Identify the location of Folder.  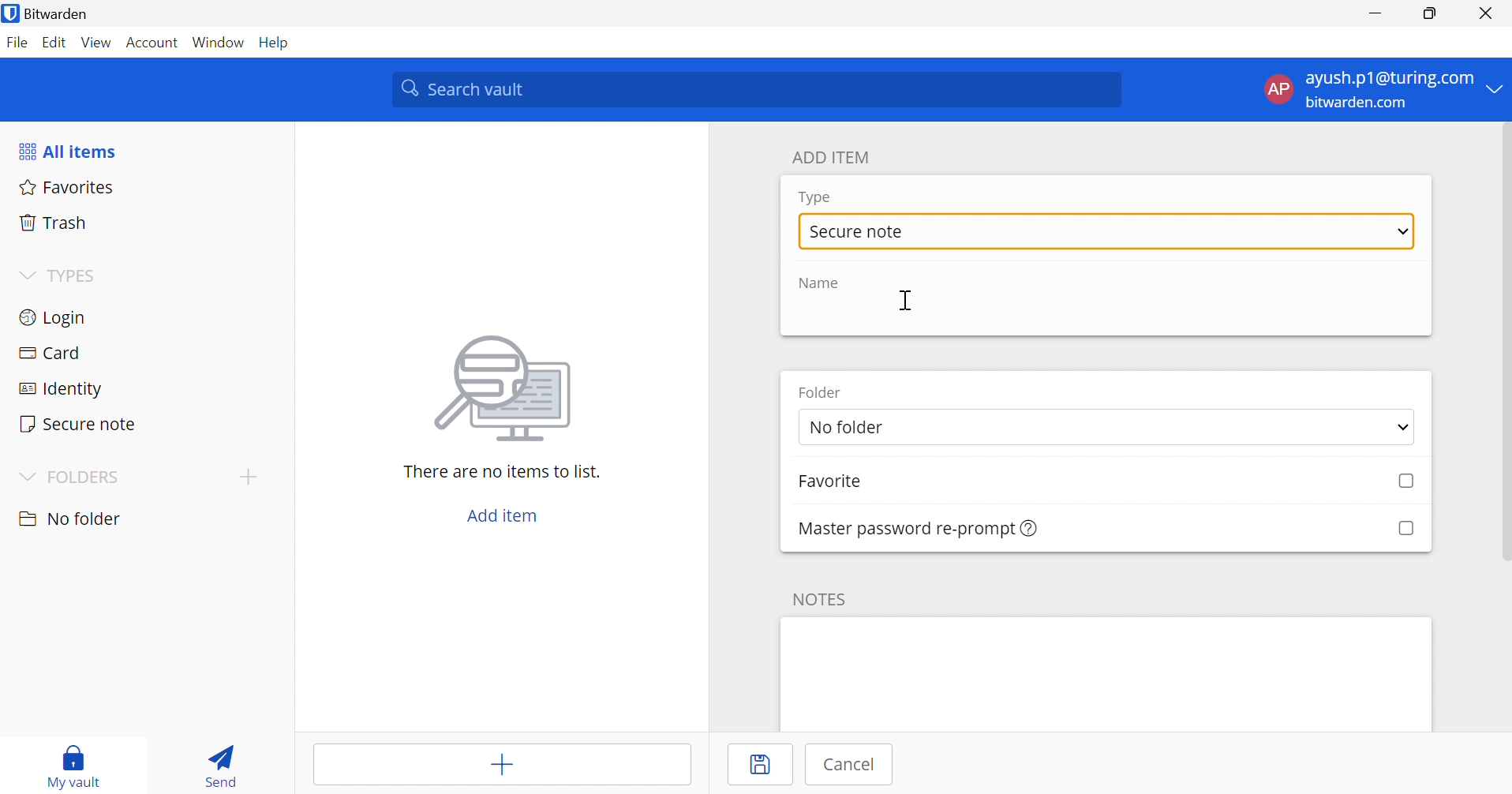
(825, 392).